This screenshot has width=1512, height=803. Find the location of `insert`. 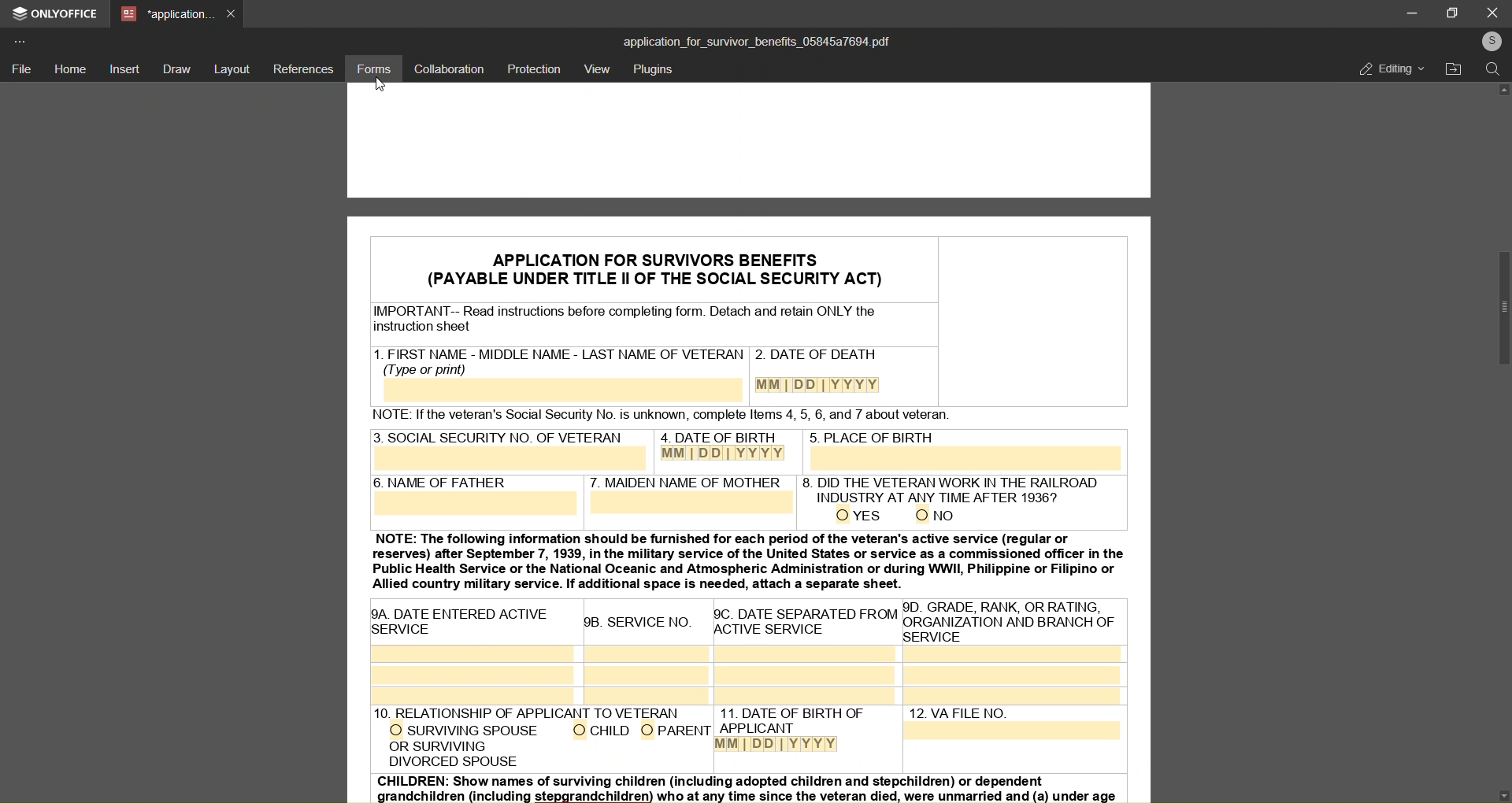

insert is located at coordinates (126, 70).